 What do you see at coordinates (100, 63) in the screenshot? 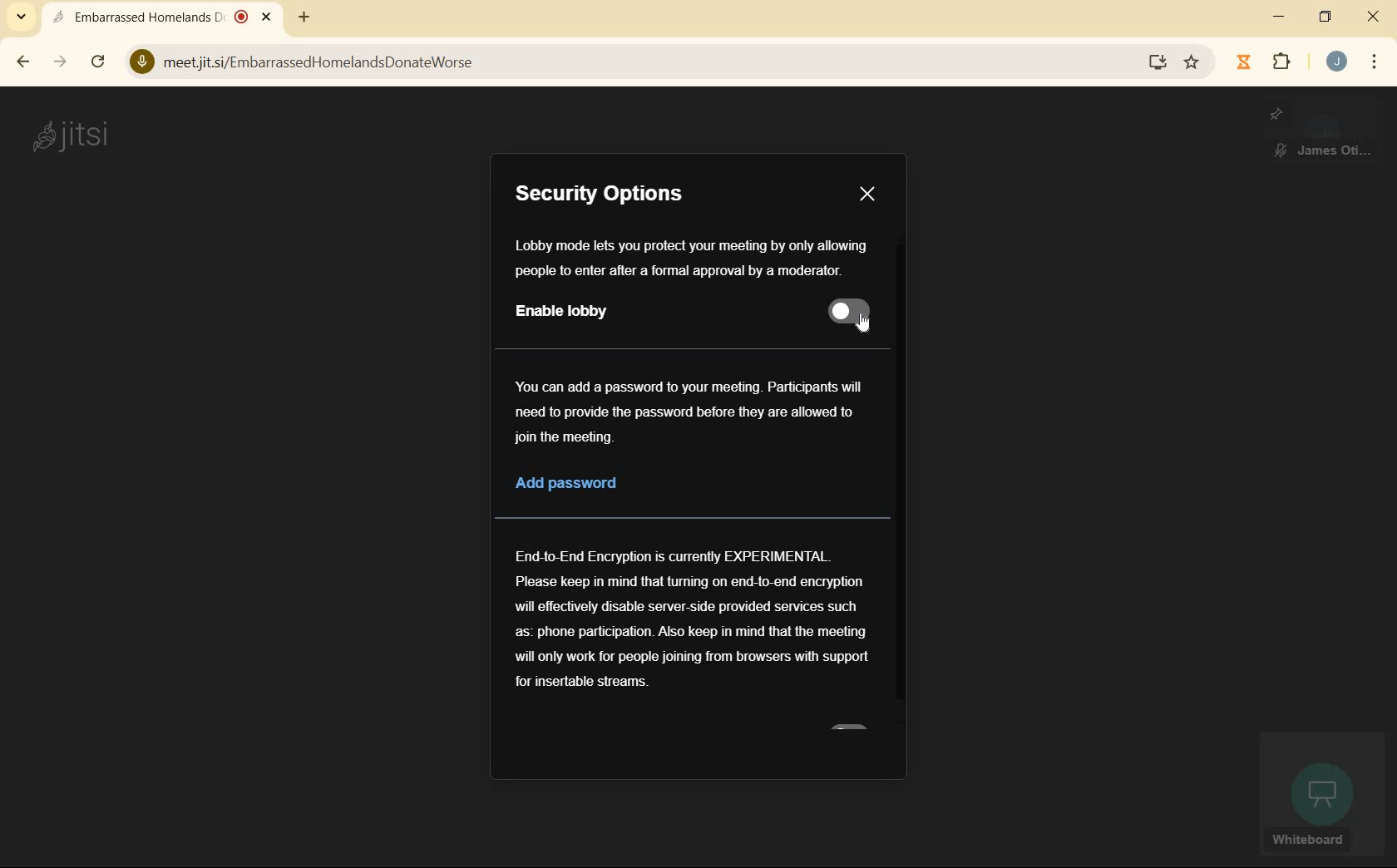
I see `scrollbar` at bounding box center [100, 63].